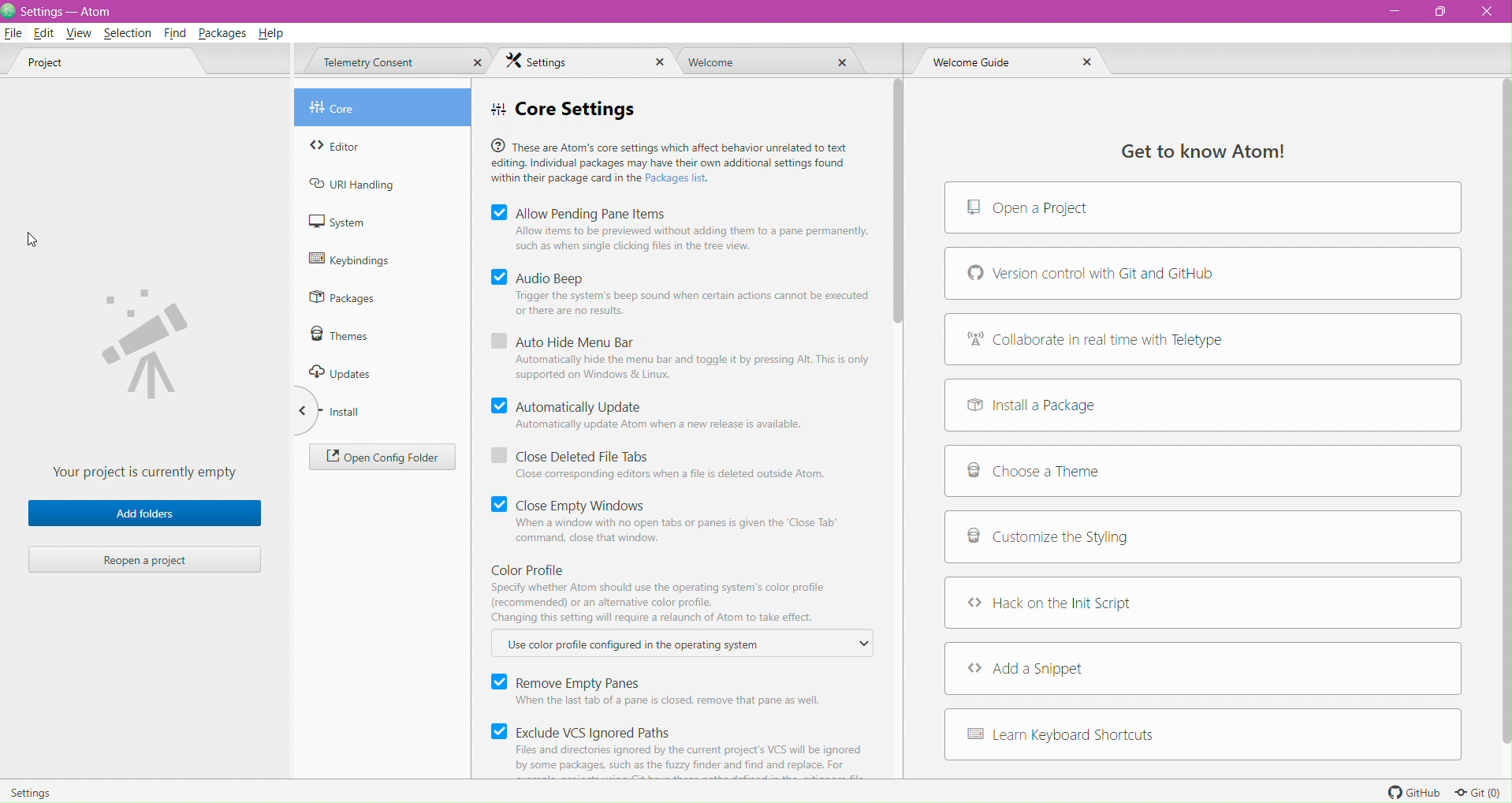 Image resolution: width=1512 pixels, height=803 pixels. What do you see at coordinates (688, 748) in the screenshot?
I see `Exclude VCS Ignored PathsFiles and directories ignored by the current project's VCS will be ignored by some packages, such as the fuzzy finder and find and replace. For` at bounding box center [688, 748].